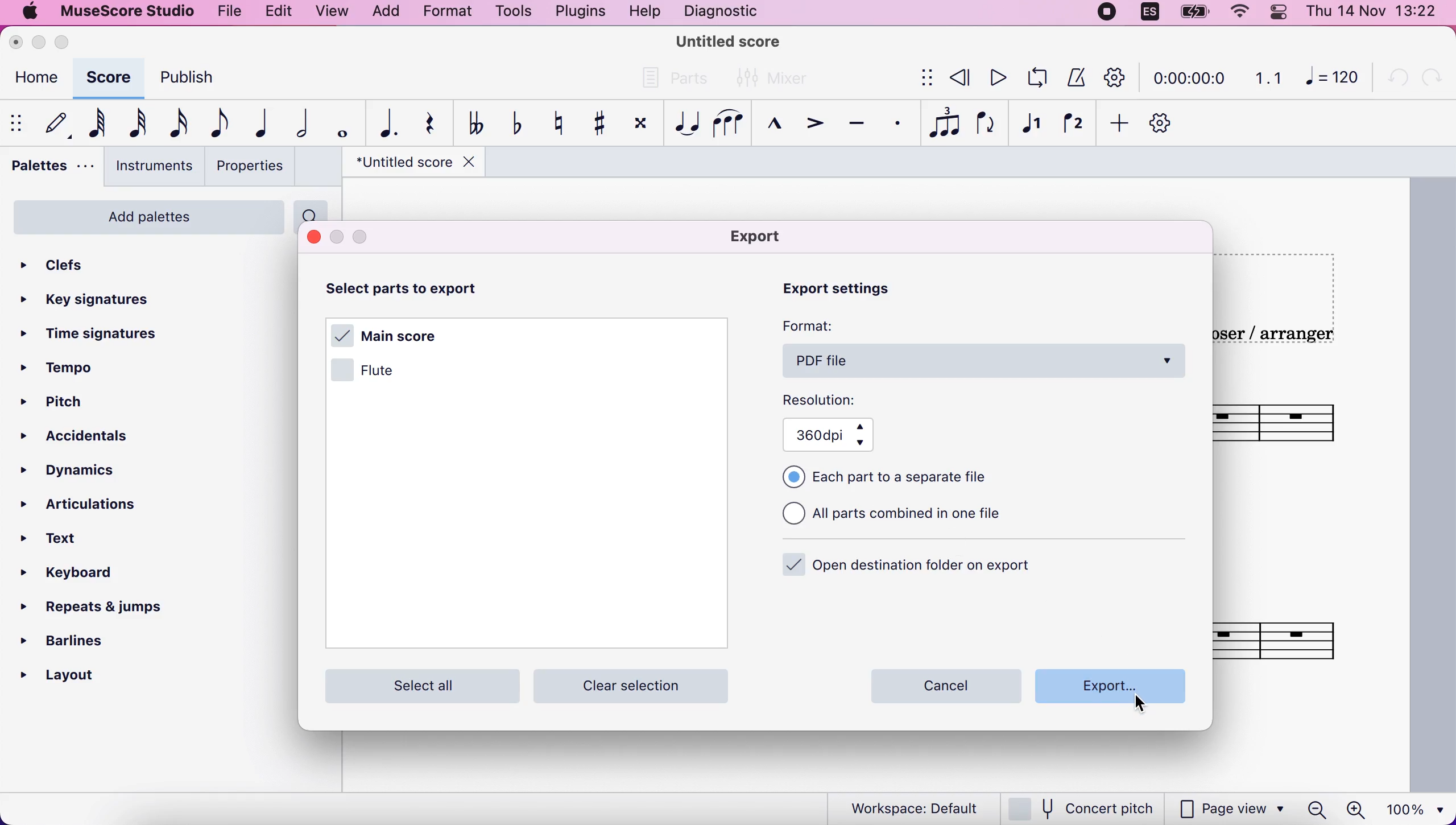 The height and width of the screenshot is (825, 1456). I want to click on staccato, so click(895, 125).